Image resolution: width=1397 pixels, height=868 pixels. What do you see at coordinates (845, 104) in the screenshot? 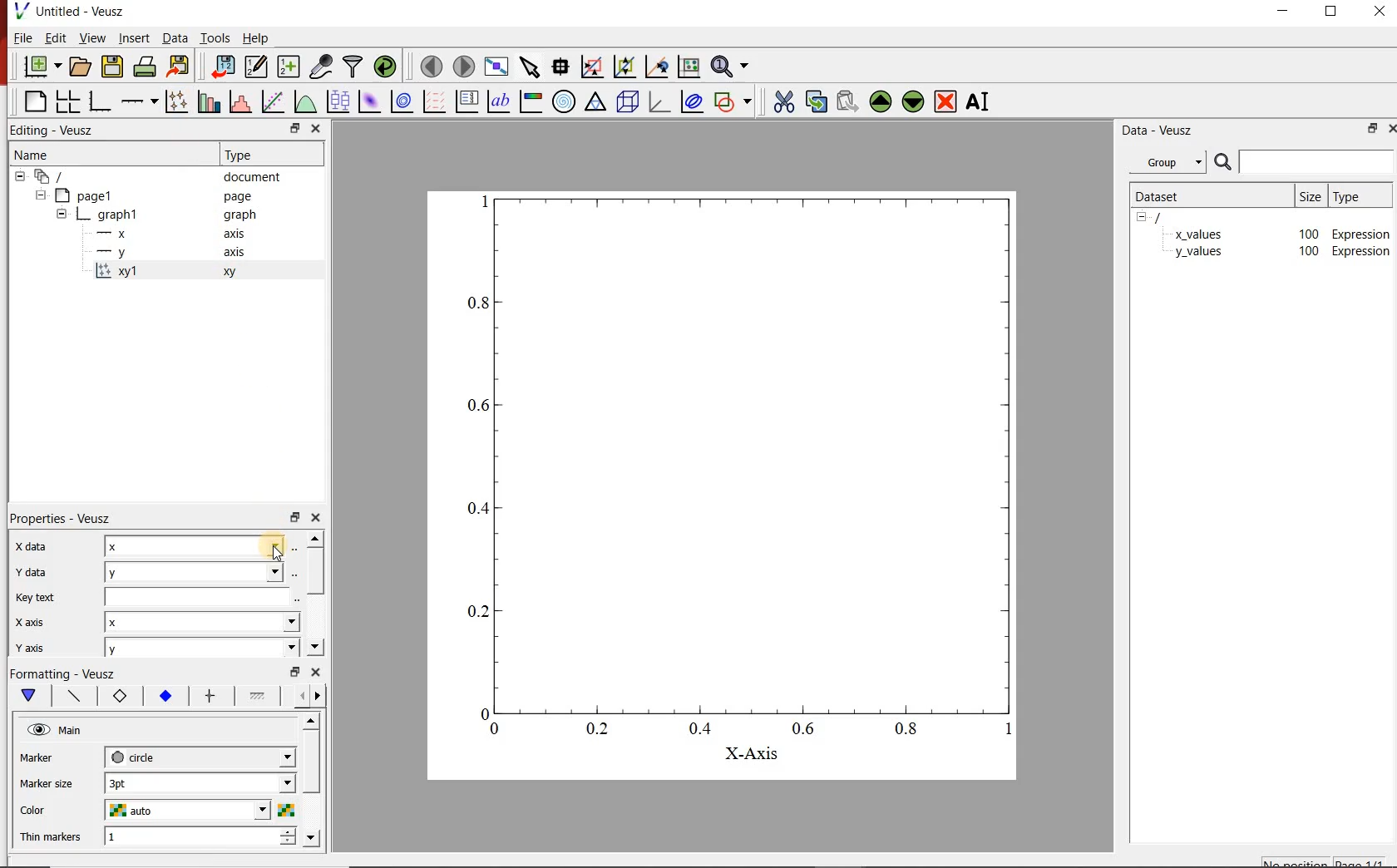
I see `paste the selected widget` at bounding box center [845, 104].